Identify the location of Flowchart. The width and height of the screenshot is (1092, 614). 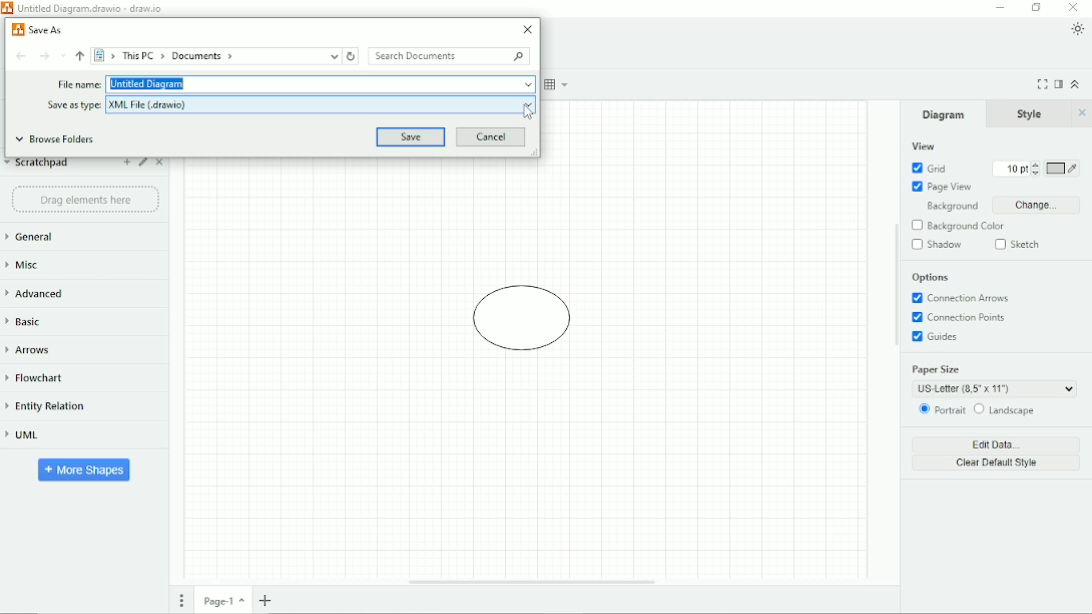
(38, 377).